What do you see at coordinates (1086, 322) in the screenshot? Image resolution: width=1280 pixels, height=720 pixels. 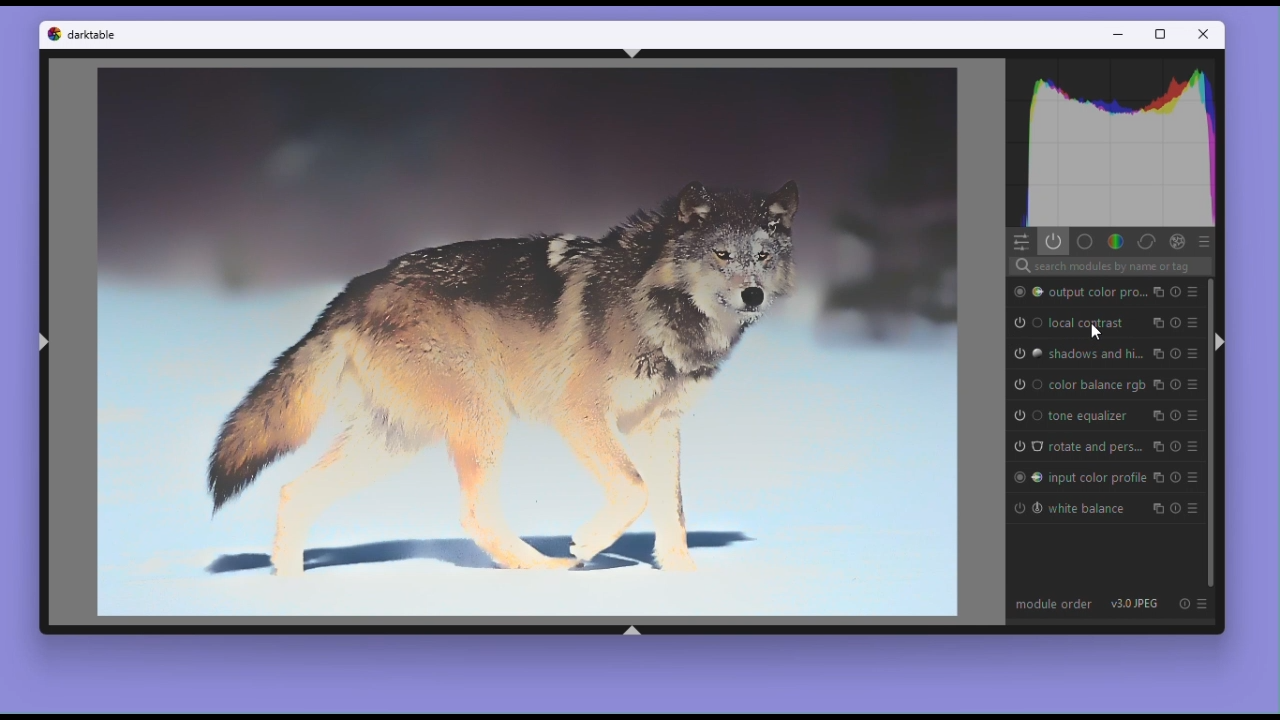 I see `local contrast` at bounding box center [1086, 322].